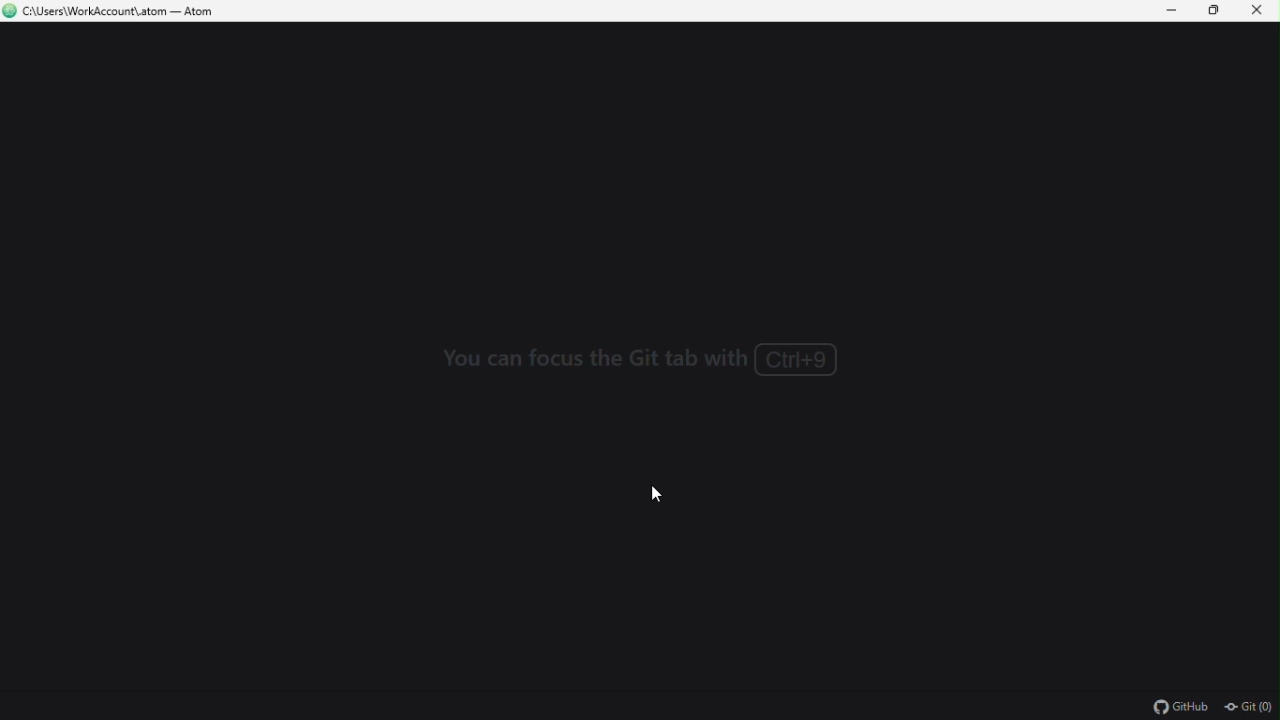  I want to click on File name and file path, so click(113, 12).